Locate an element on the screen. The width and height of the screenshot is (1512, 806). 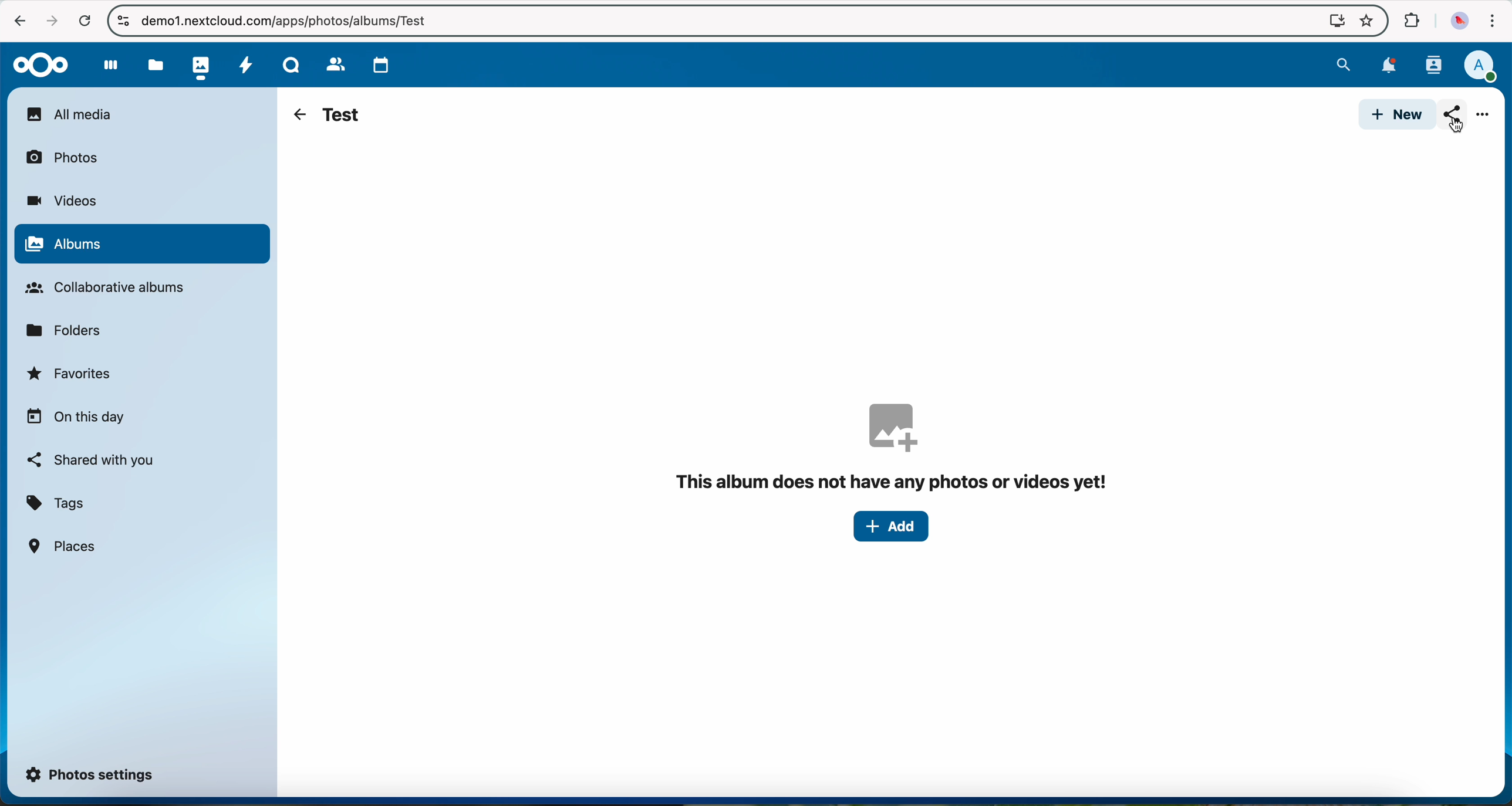
more options is located at coordinates (1484, 117).